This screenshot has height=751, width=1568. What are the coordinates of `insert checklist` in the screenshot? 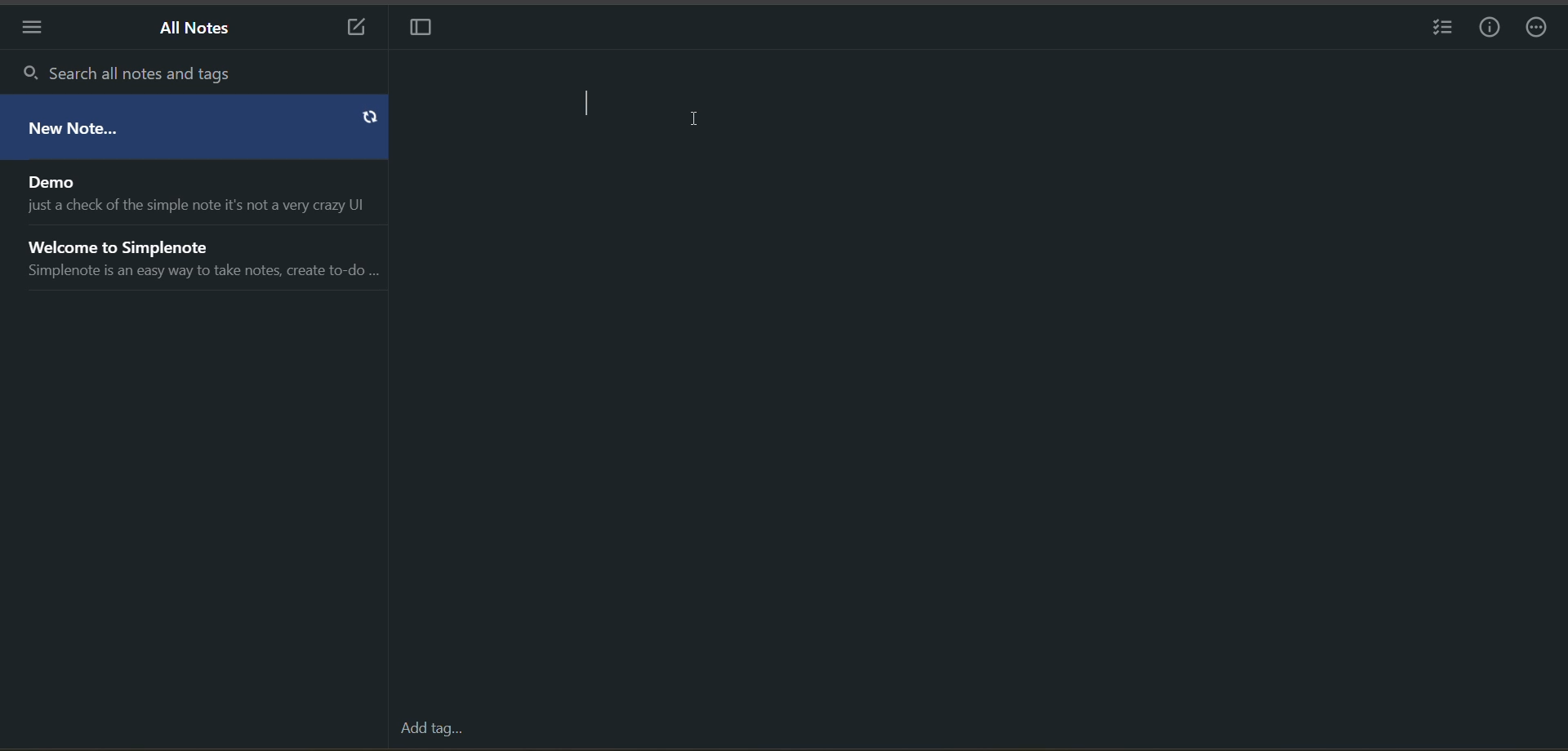 It's located at (1438, 29).